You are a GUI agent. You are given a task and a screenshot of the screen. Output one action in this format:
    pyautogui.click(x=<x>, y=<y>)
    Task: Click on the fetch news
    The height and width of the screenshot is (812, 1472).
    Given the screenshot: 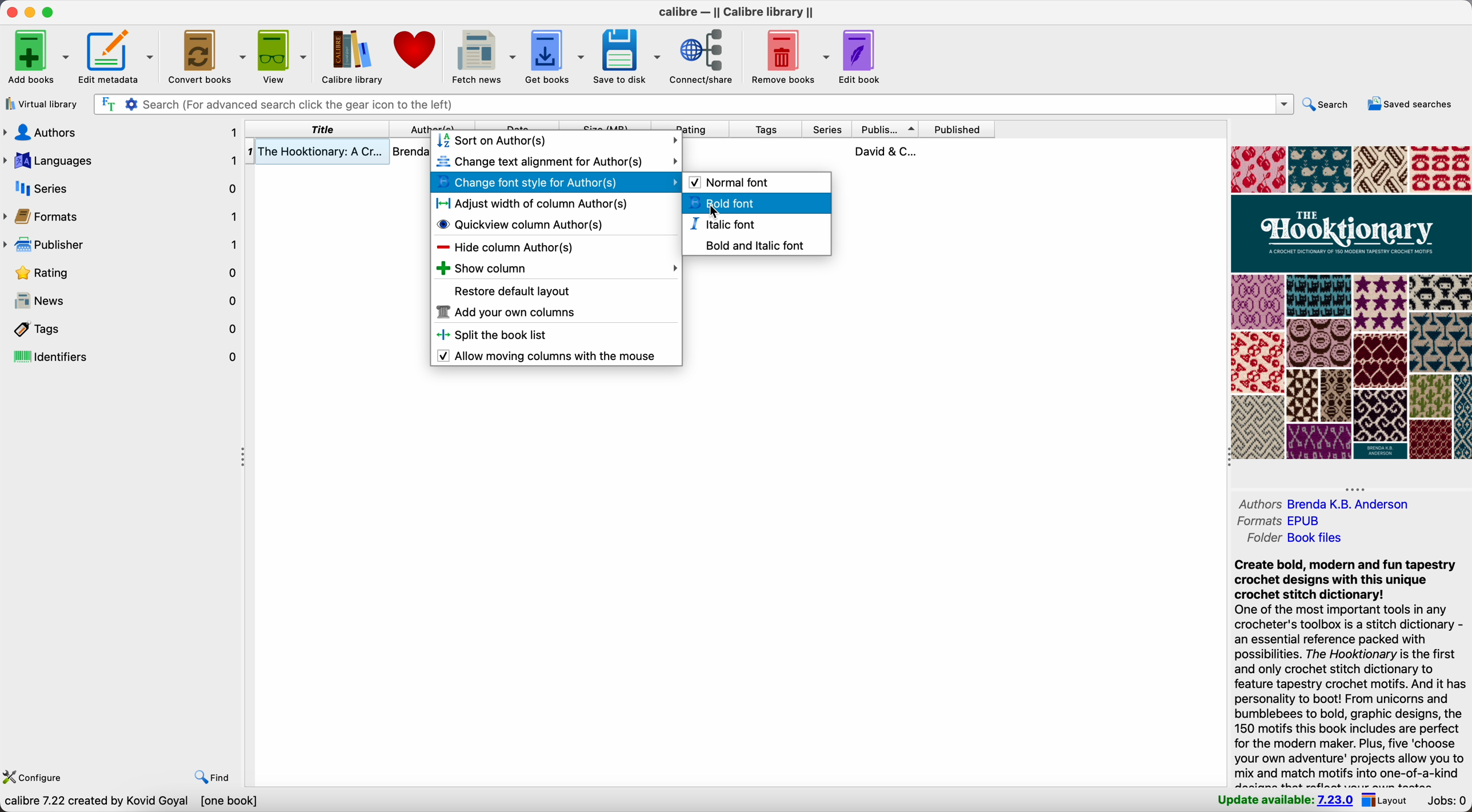 What is the action you would take?
    pyautogui.click(x=483, y=54)
    